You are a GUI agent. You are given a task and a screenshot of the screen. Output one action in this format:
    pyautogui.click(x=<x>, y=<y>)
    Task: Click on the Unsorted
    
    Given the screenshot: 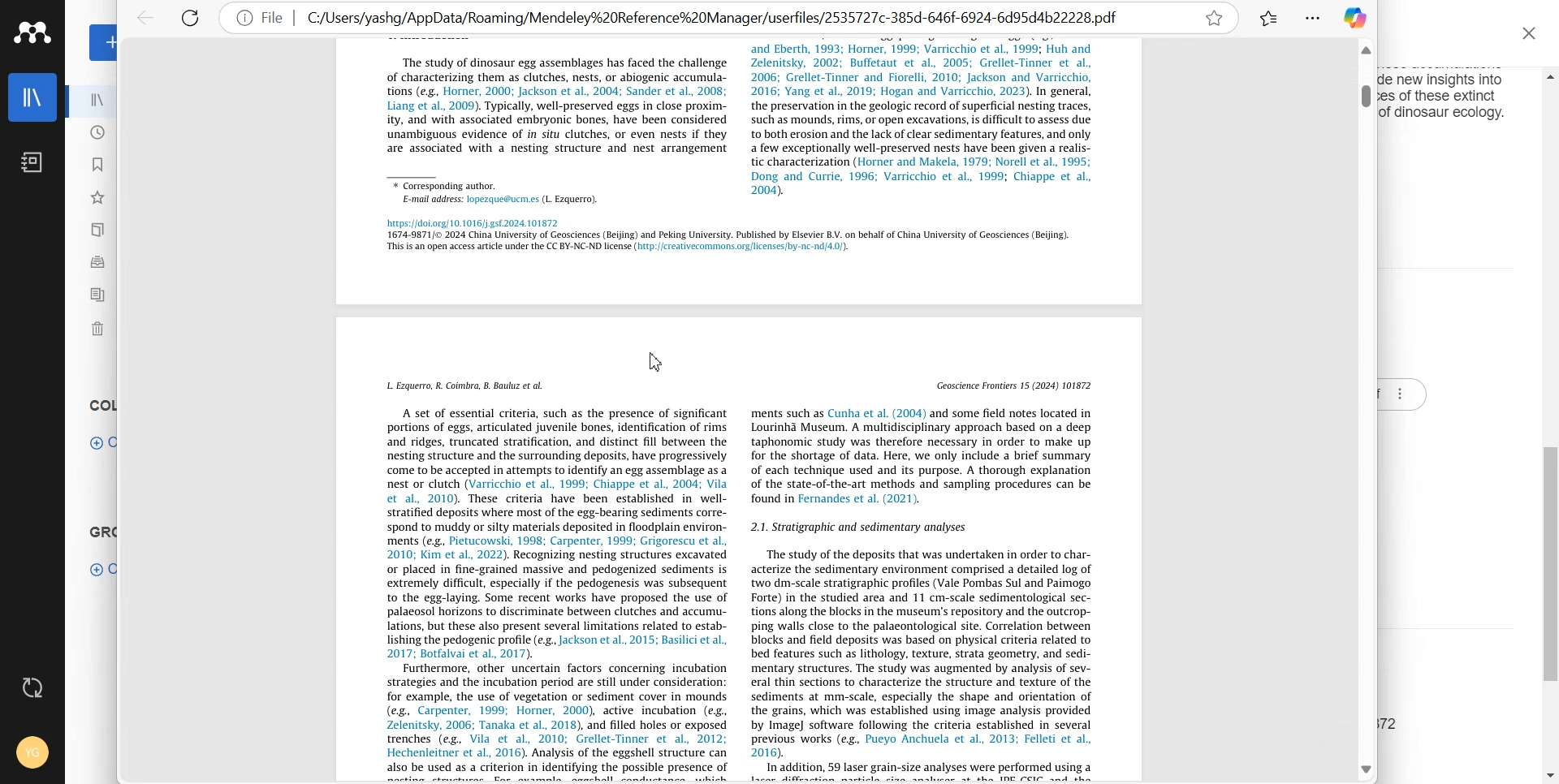 What is the action you would take?
    pyautogui.click(x=95, y=262)
    